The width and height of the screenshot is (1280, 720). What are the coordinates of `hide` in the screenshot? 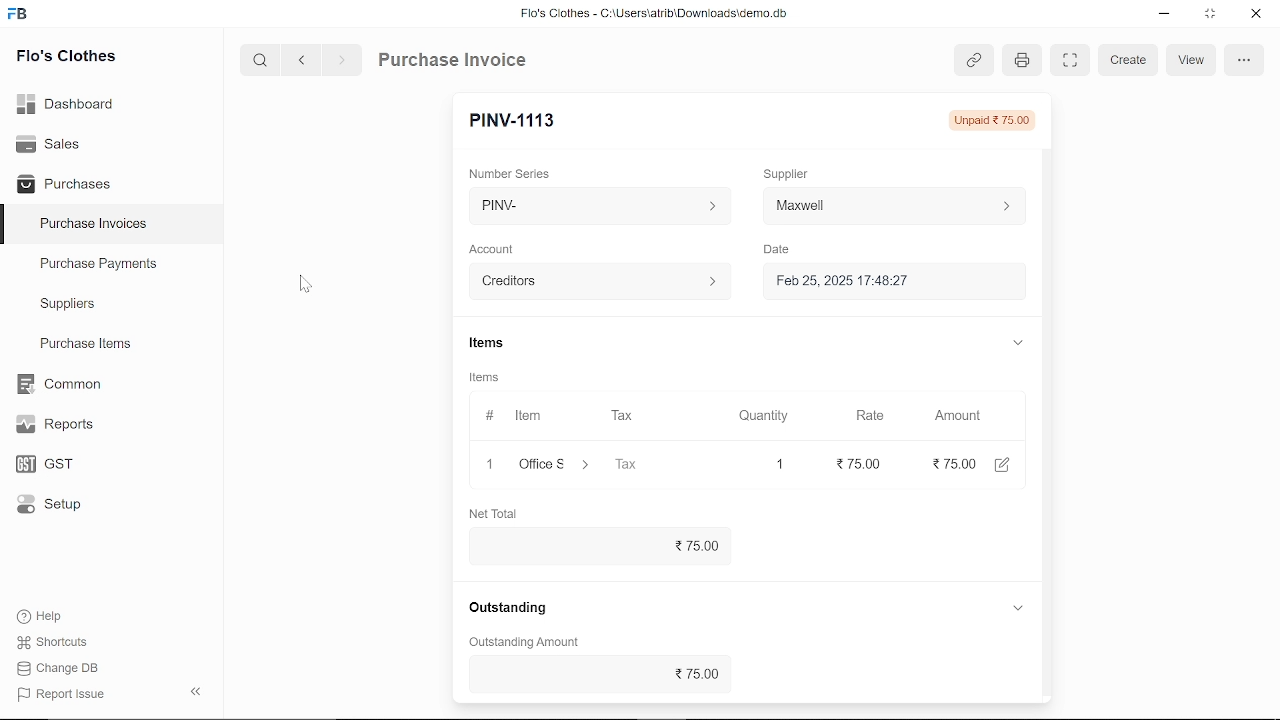 It's located at (192, 693).